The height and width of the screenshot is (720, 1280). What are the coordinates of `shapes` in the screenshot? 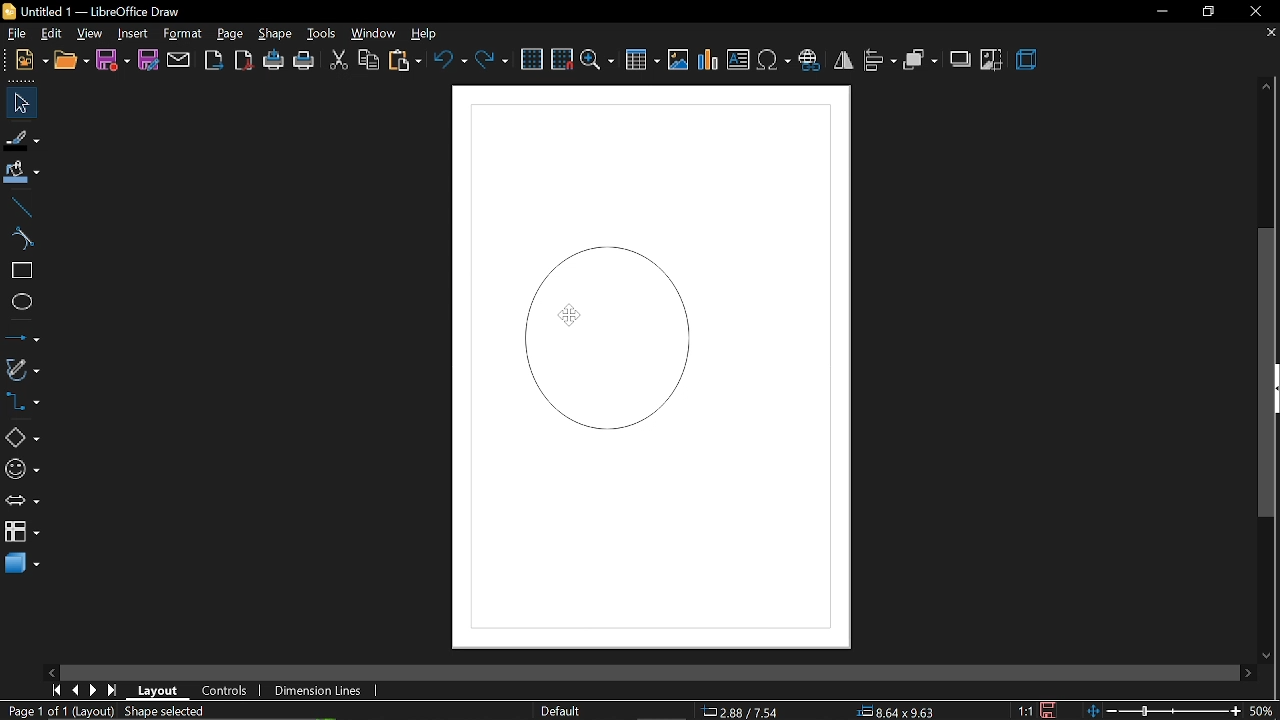 It's located at (21, 436).